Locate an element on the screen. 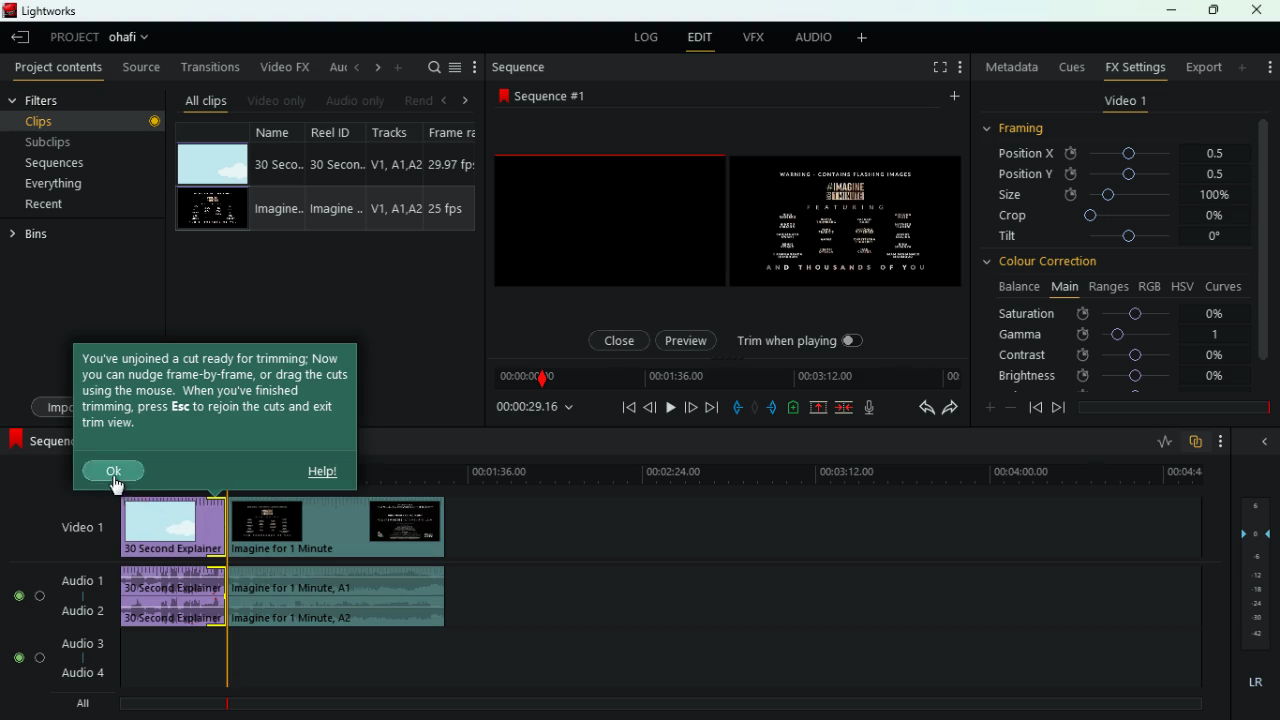 Image resolution: width=1280 pixels, height=720 pixels. beggining is located at coordinates (622, 407).